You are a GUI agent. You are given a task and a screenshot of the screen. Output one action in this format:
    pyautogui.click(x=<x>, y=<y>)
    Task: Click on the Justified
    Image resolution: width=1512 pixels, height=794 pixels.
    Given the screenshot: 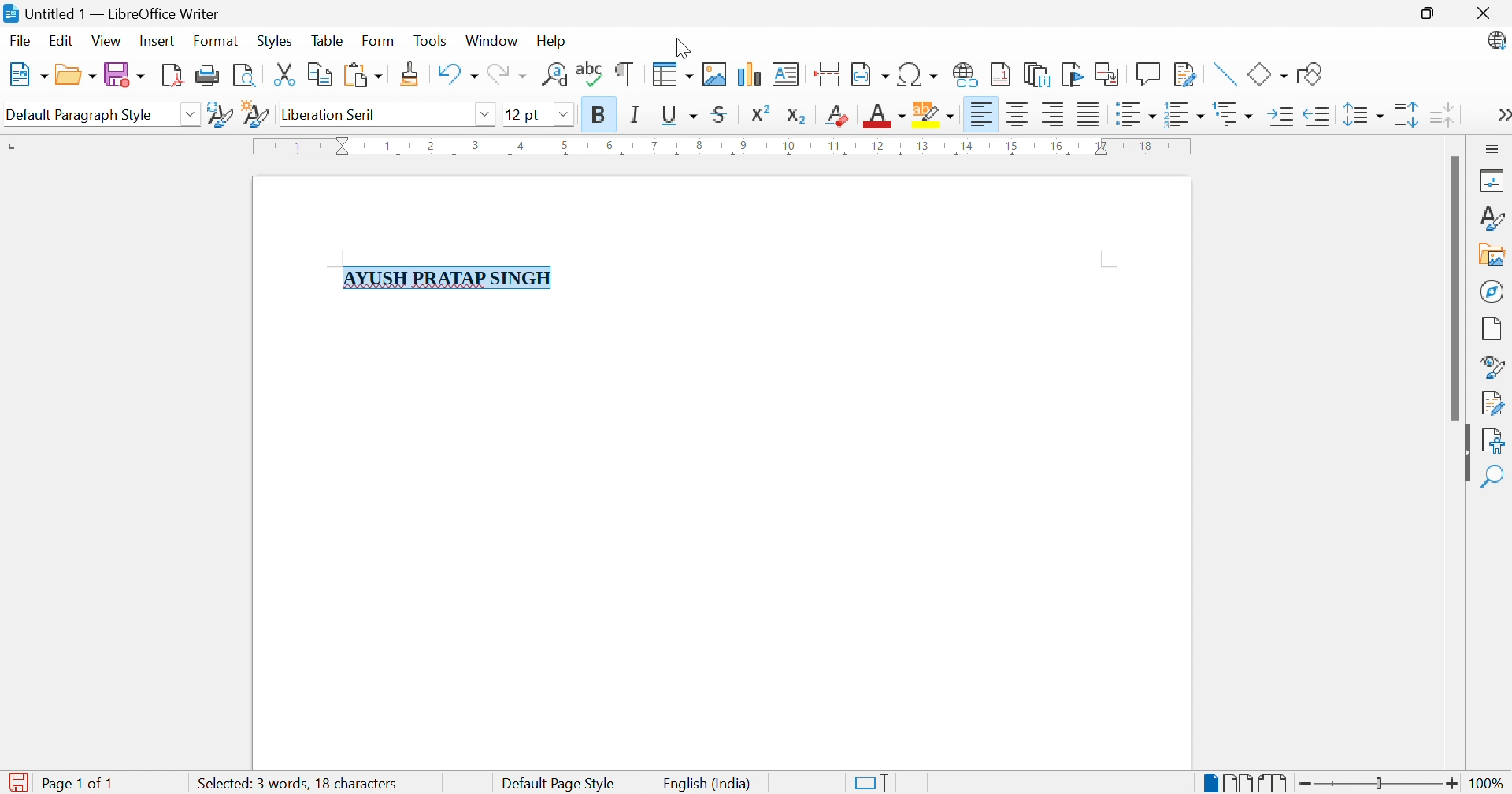 What is the action you would take?
    pyautogui.click(x=1088, y=114)
    